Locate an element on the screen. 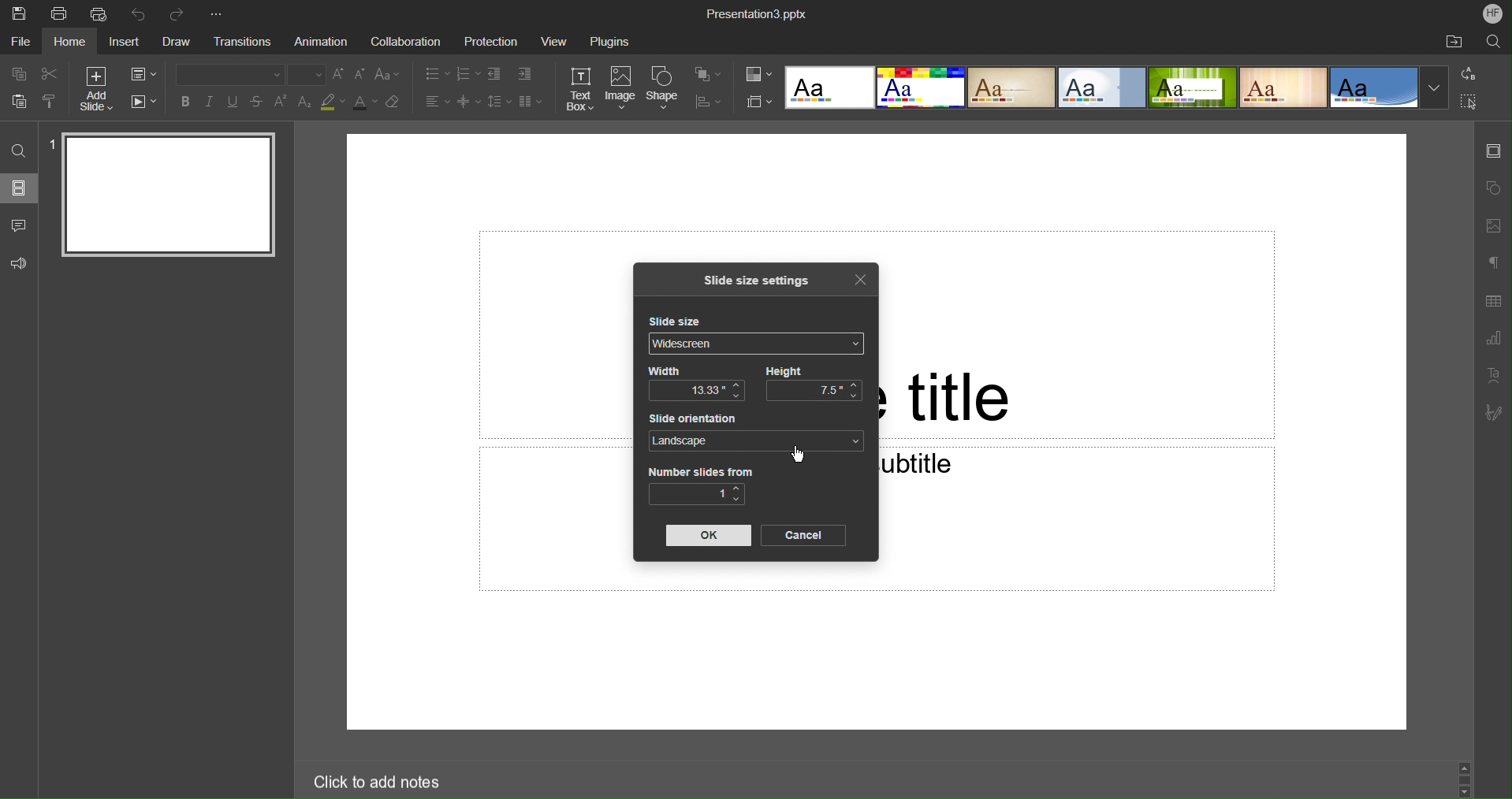 This screenshot has height=799, width=1512. Decrease size is located at coordinates (361, 76).